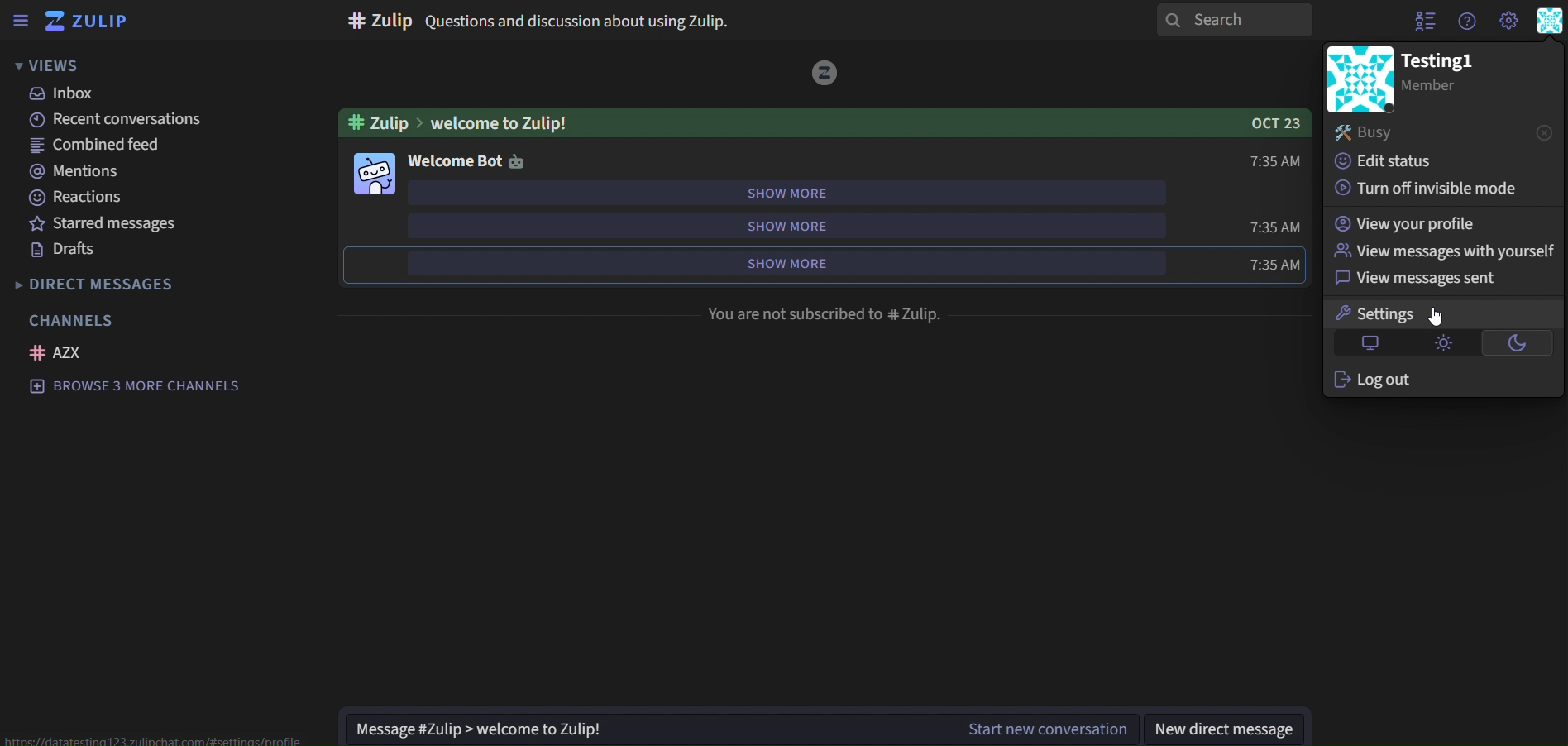  I want to click on AZX, so click(58, 352).